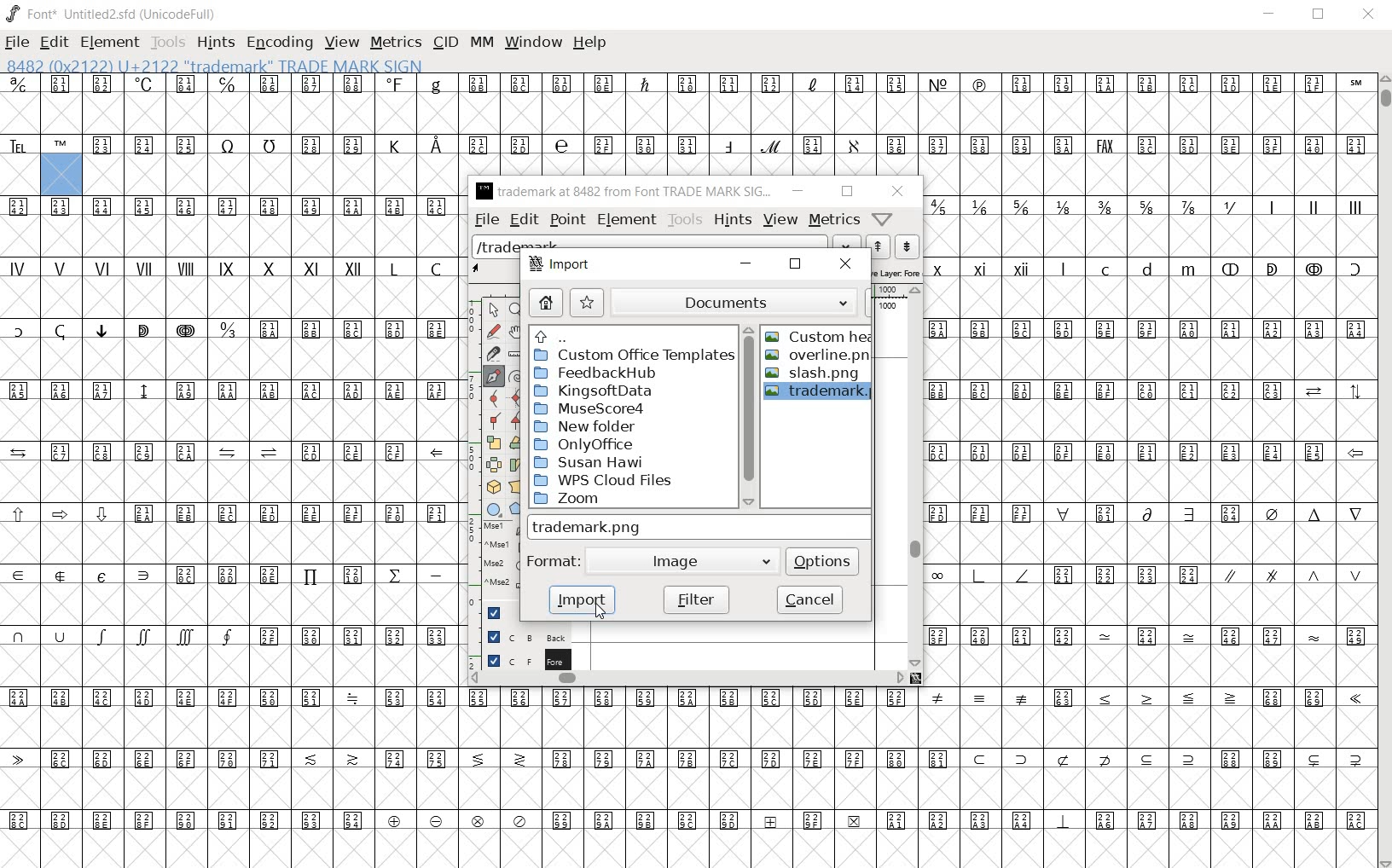 The image size is (1392, 868). Describe the element at coordinates (1208, 286) in the screenshot. I see `special characters` at that location.